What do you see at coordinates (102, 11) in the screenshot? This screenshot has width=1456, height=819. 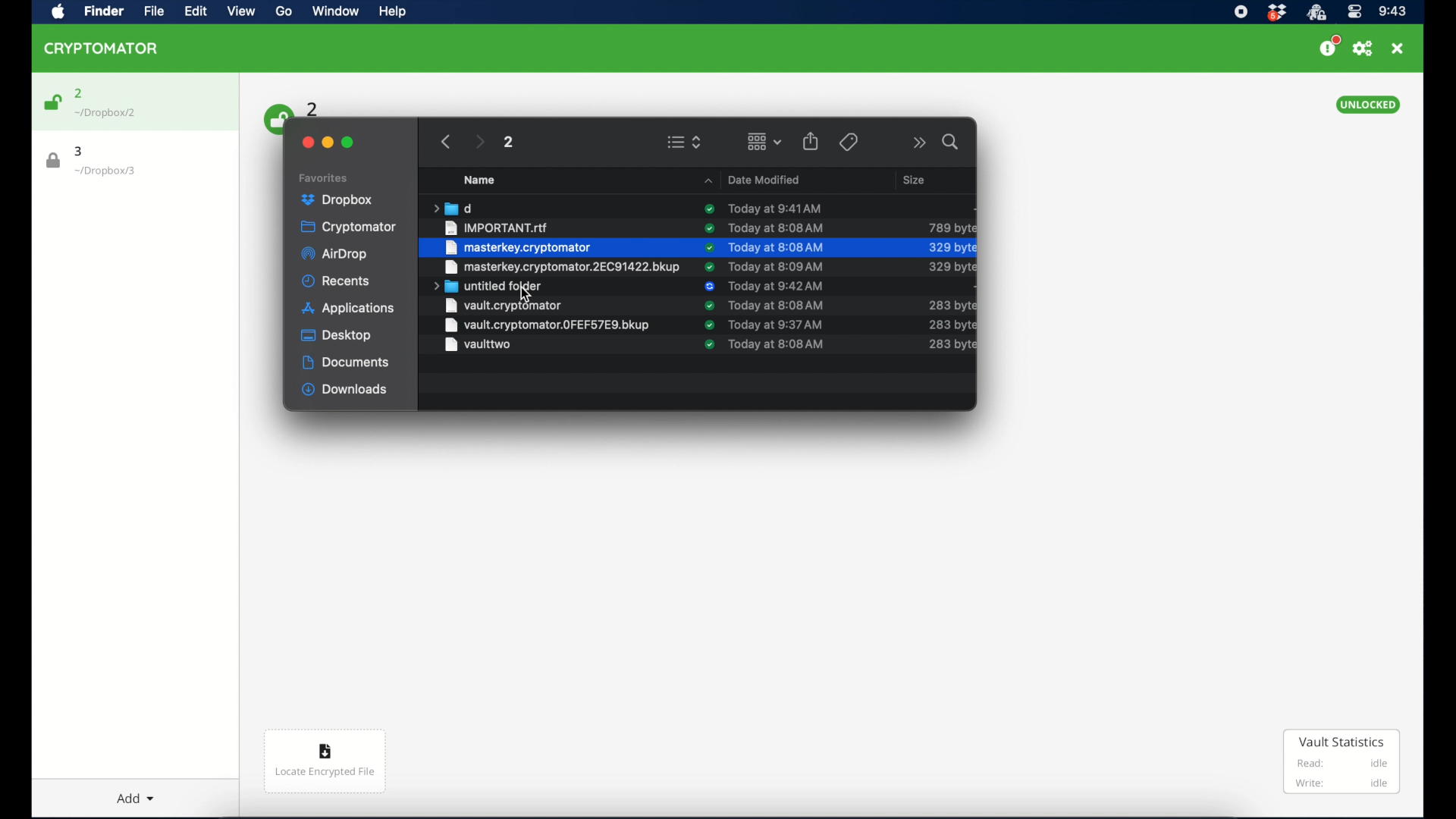 I see `finder` at bounding box center [102, 11].